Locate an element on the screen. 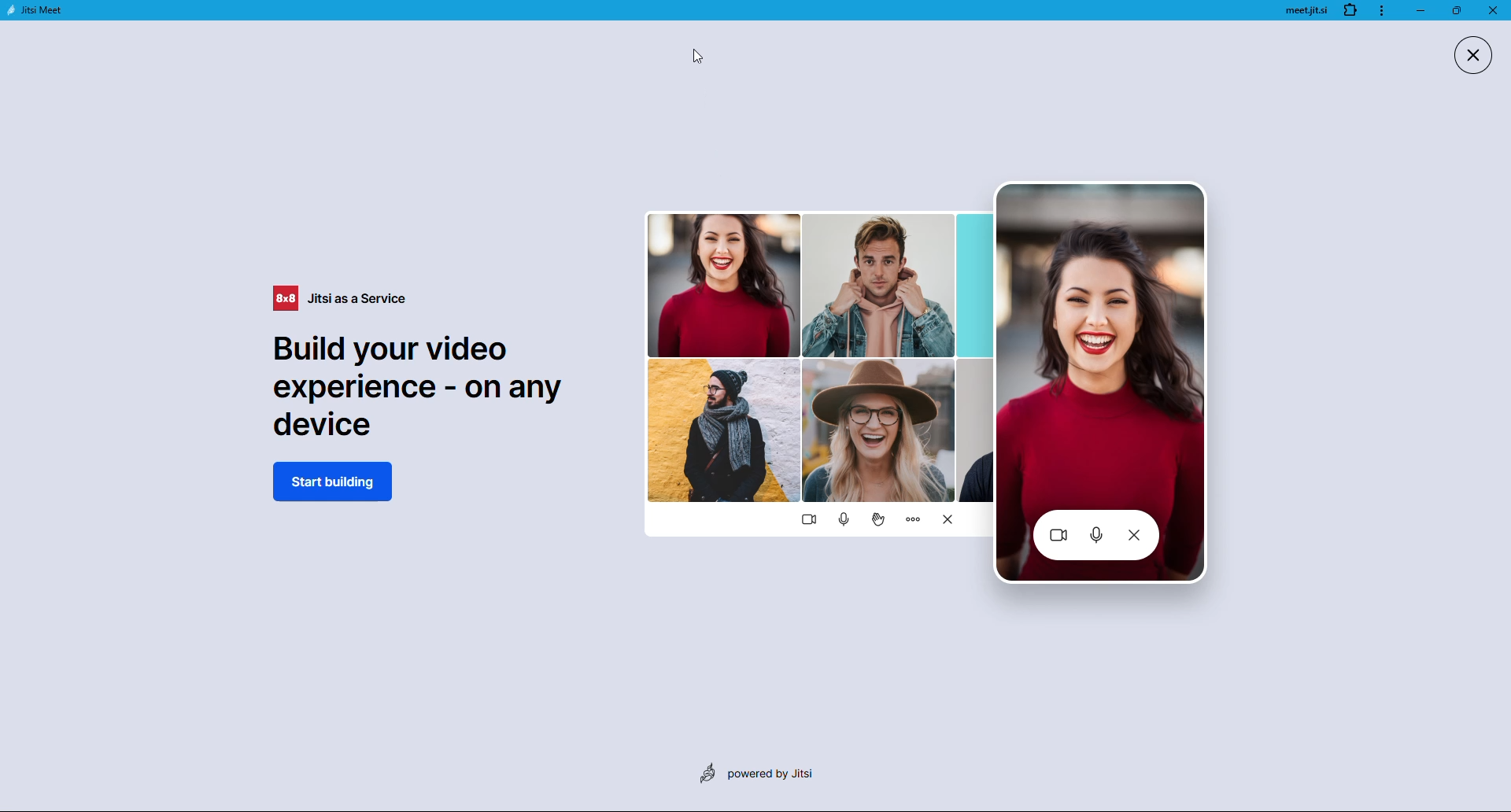  start building is located at coordinates (333, 480).